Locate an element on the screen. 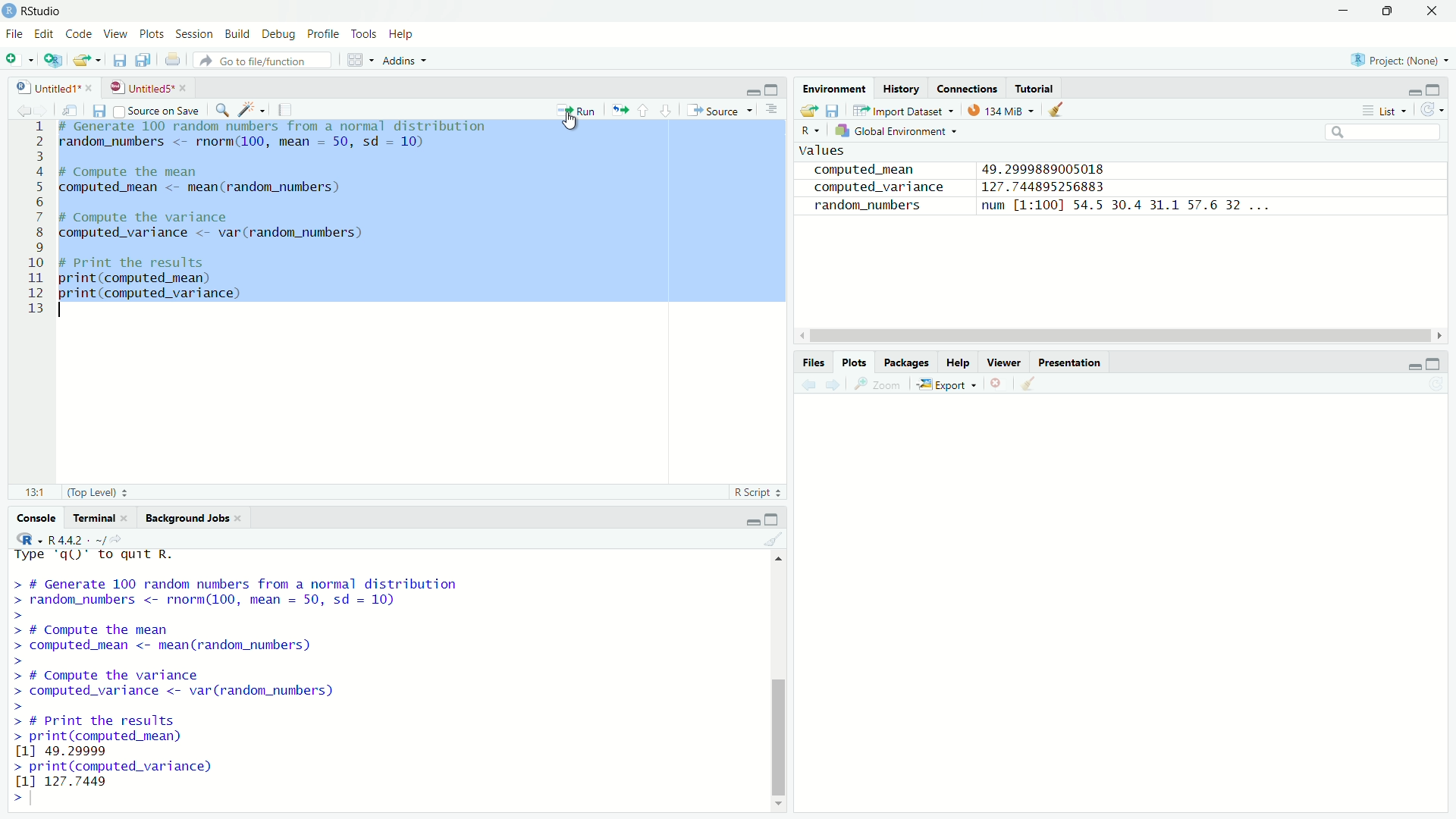  # generate 100 random numbers from a normal distribution is located at coordinates (277, 127).